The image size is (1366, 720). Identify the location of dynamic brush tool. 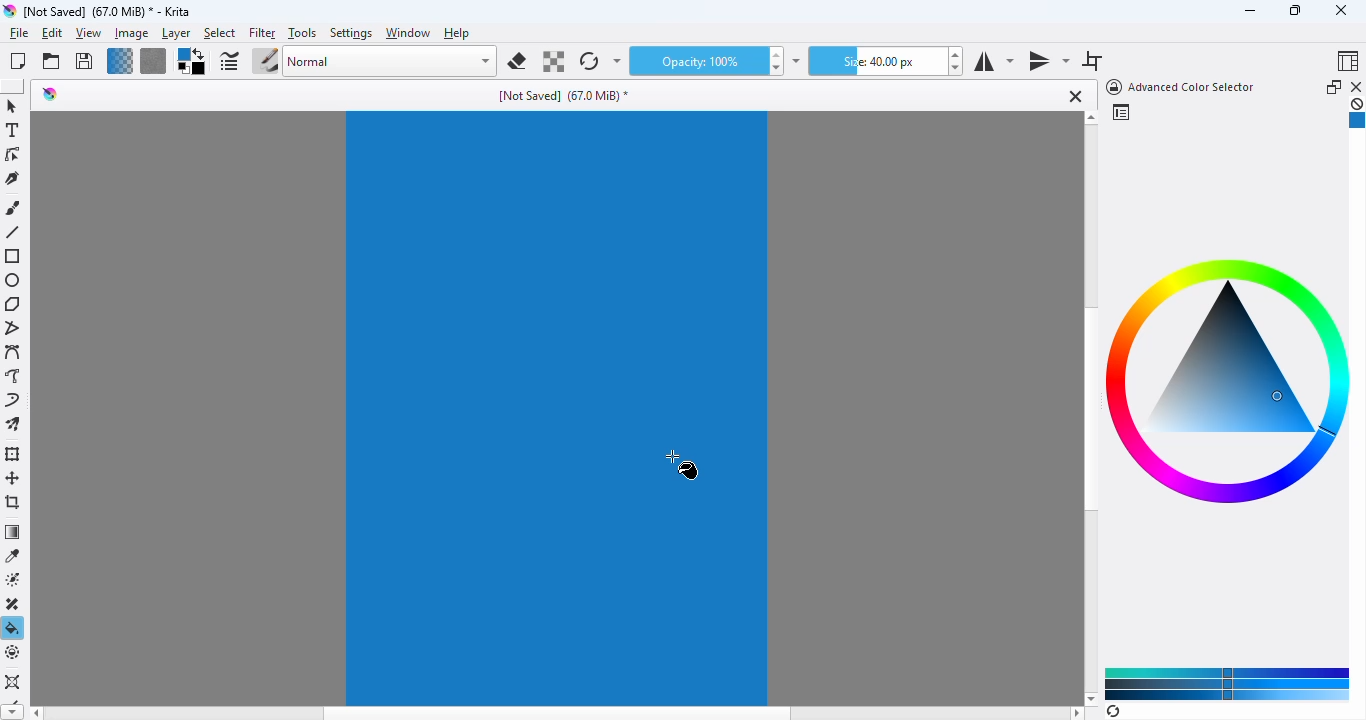
(12, 399).